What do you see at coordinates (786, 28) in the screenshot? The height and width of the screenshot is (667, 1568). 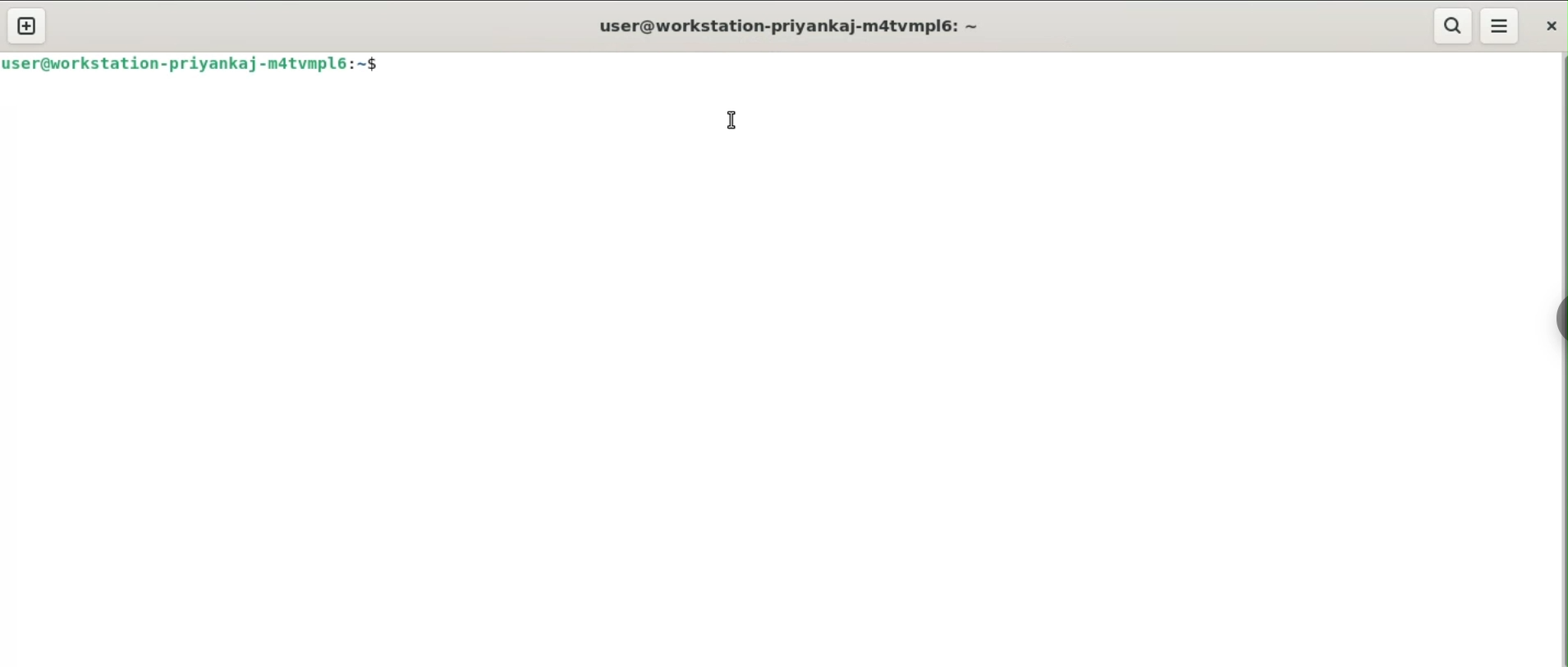 I see `user@workstation-priyankaj-m4tvmpl6: ~` at bounding box center [786, 28].